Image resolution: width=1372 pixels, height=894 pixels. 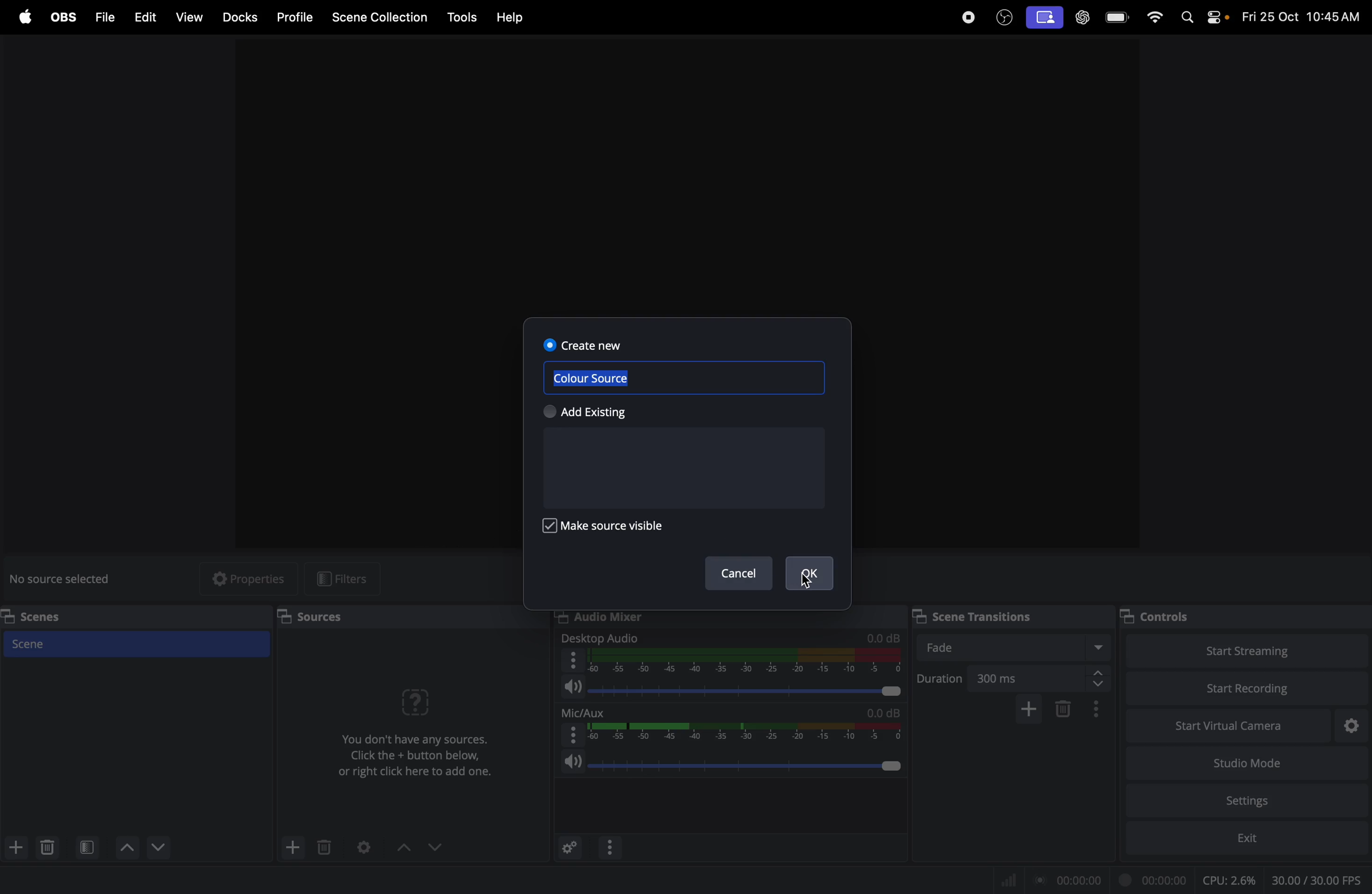 I want to click on record, so click(x=967, y=18).